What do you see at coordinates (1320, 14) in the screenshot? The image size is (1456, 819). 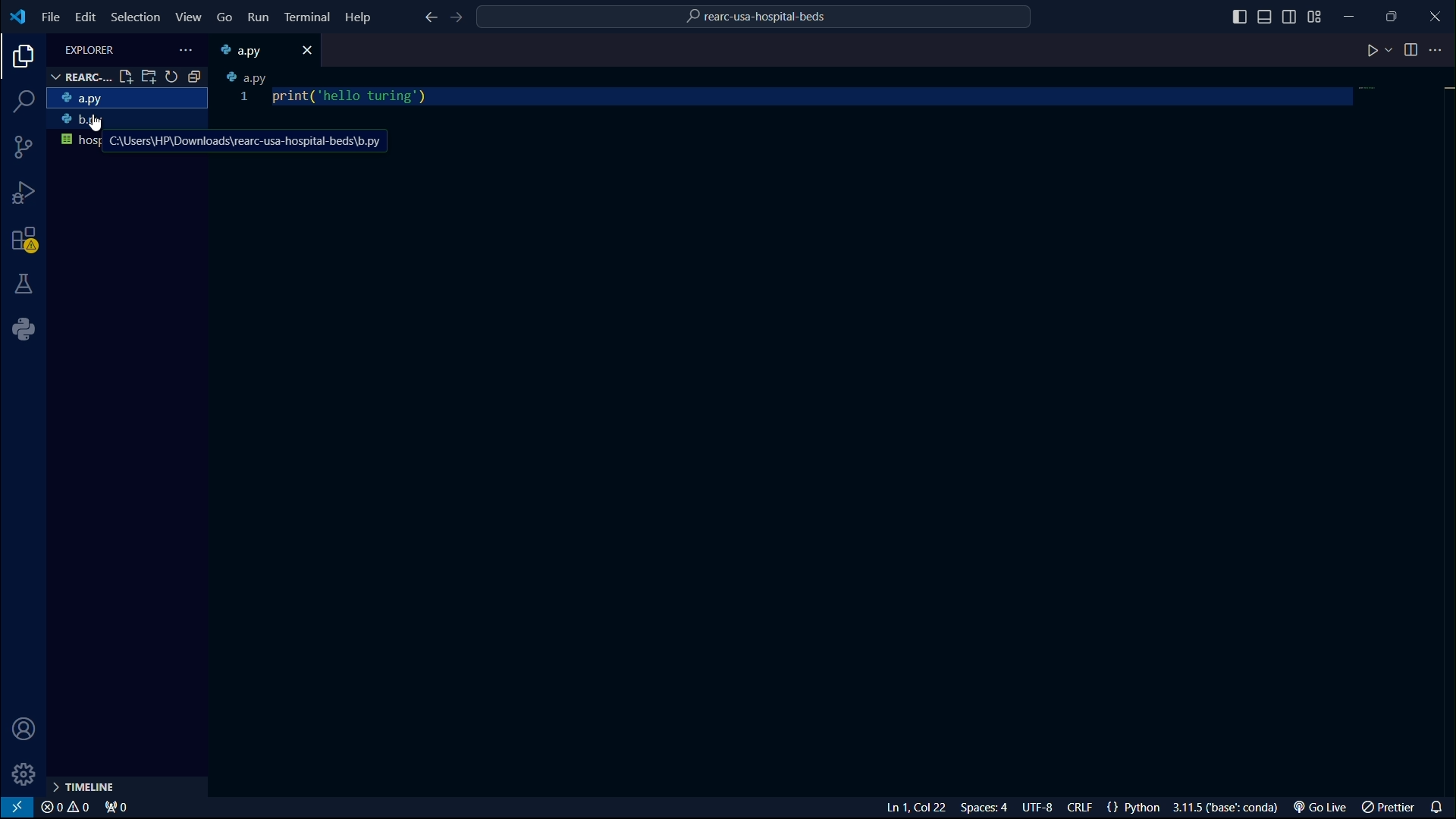 I see `change layout` at bounding box center [1320, 14].